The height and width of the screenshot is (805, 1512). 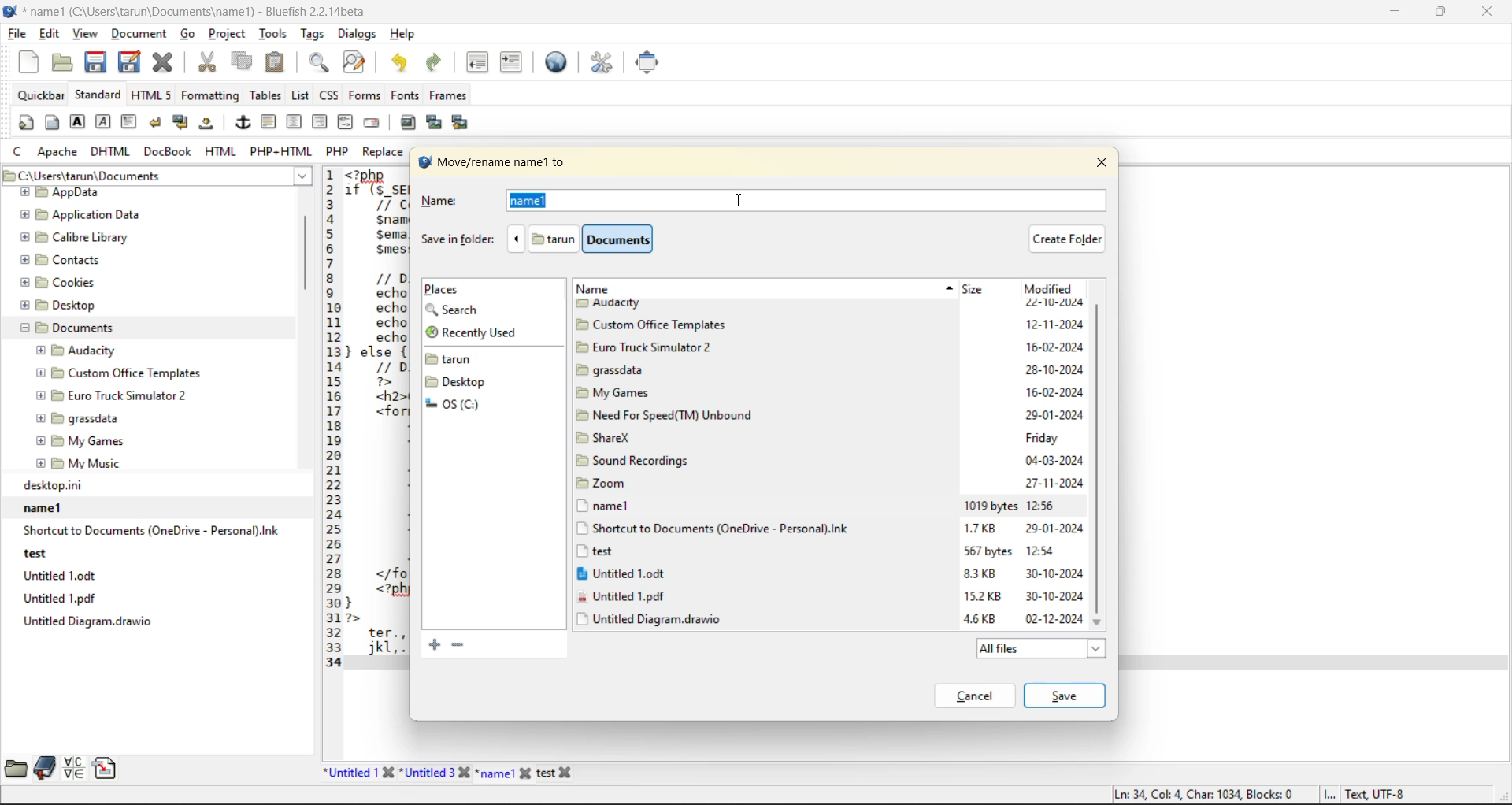 What do you see at coordinates (478, 65) in the screenshot?
I see `unindent` at bounding box center [478, 65].